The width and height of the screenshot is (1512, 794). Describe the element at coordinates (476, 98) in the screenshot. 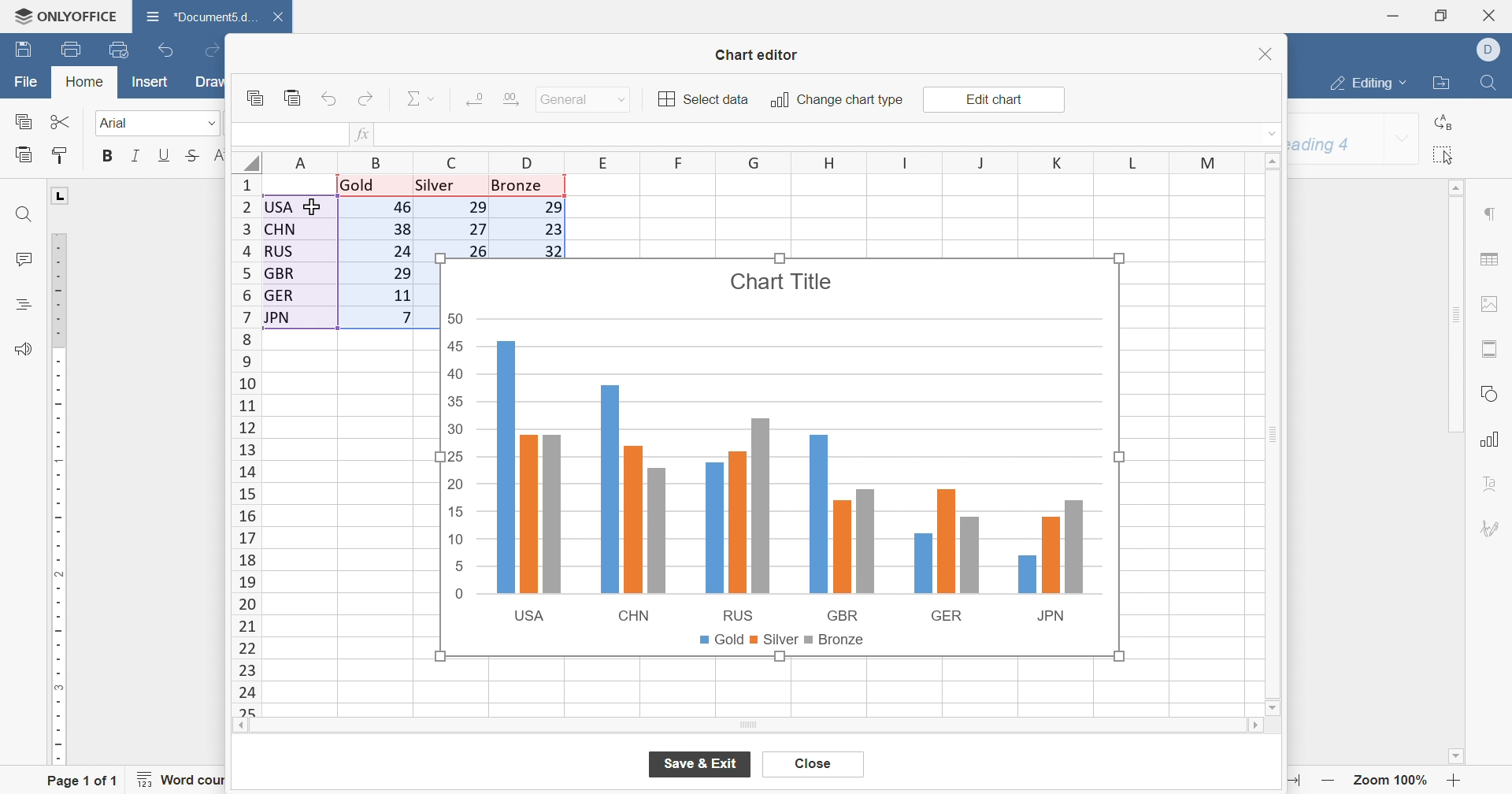

I see `decrease decimal places` at that location.